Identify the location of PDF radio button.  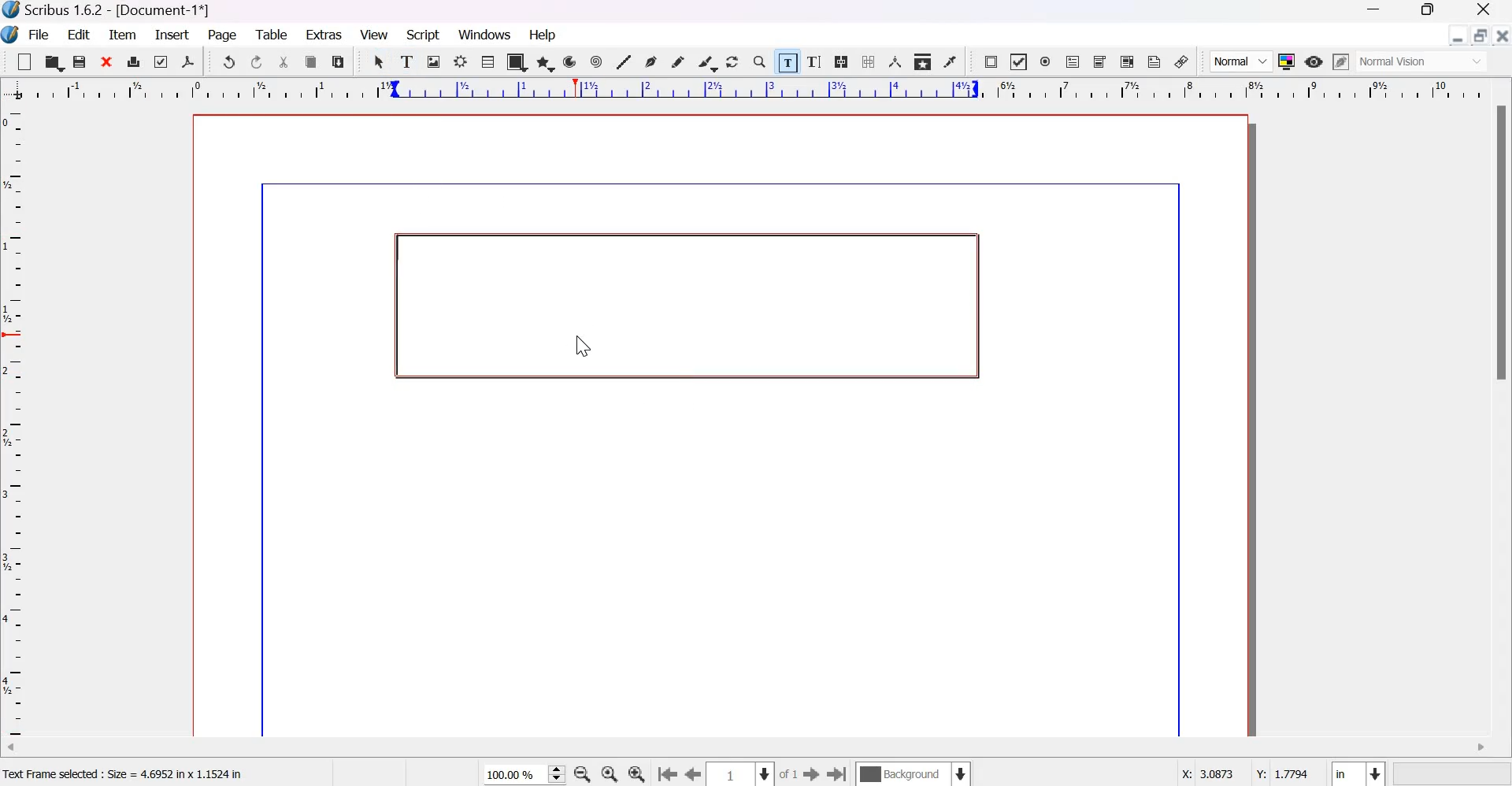
(1046, 62).